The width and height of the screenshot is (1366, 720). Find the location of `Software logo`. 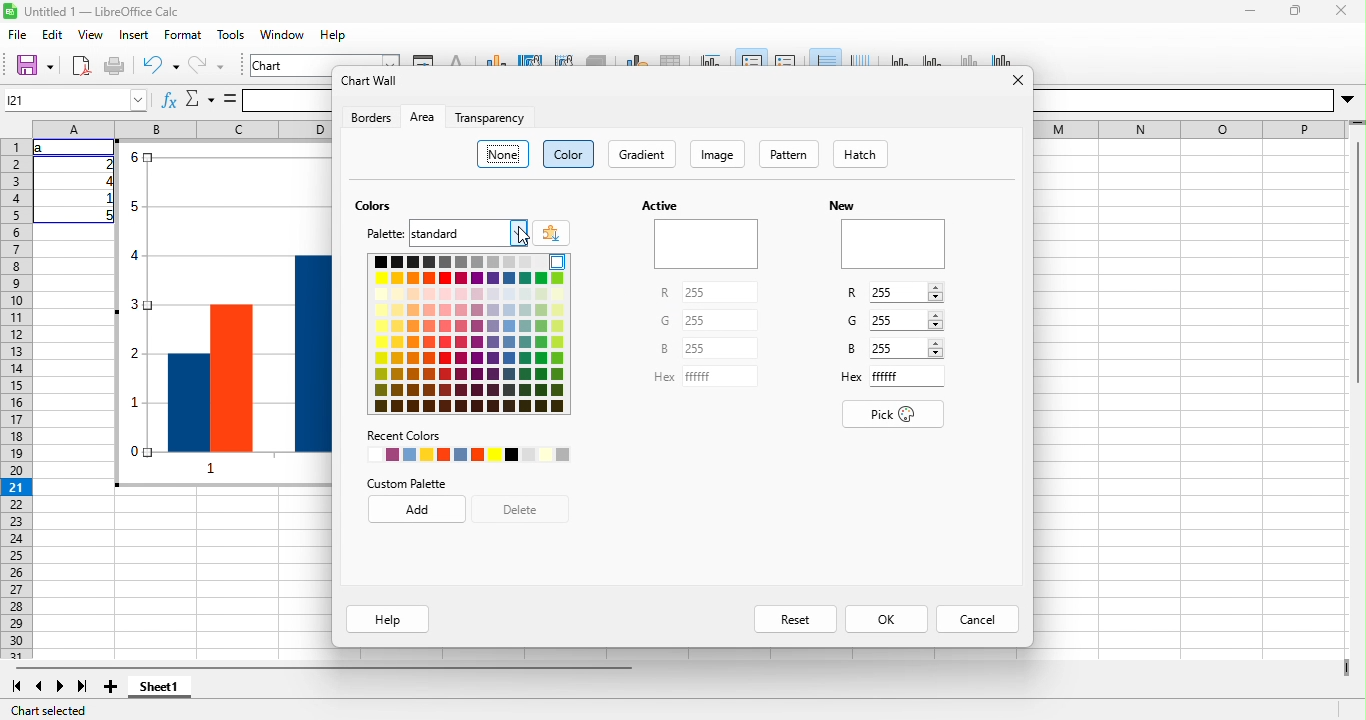

Software logo is located at coordinates (10, 11).